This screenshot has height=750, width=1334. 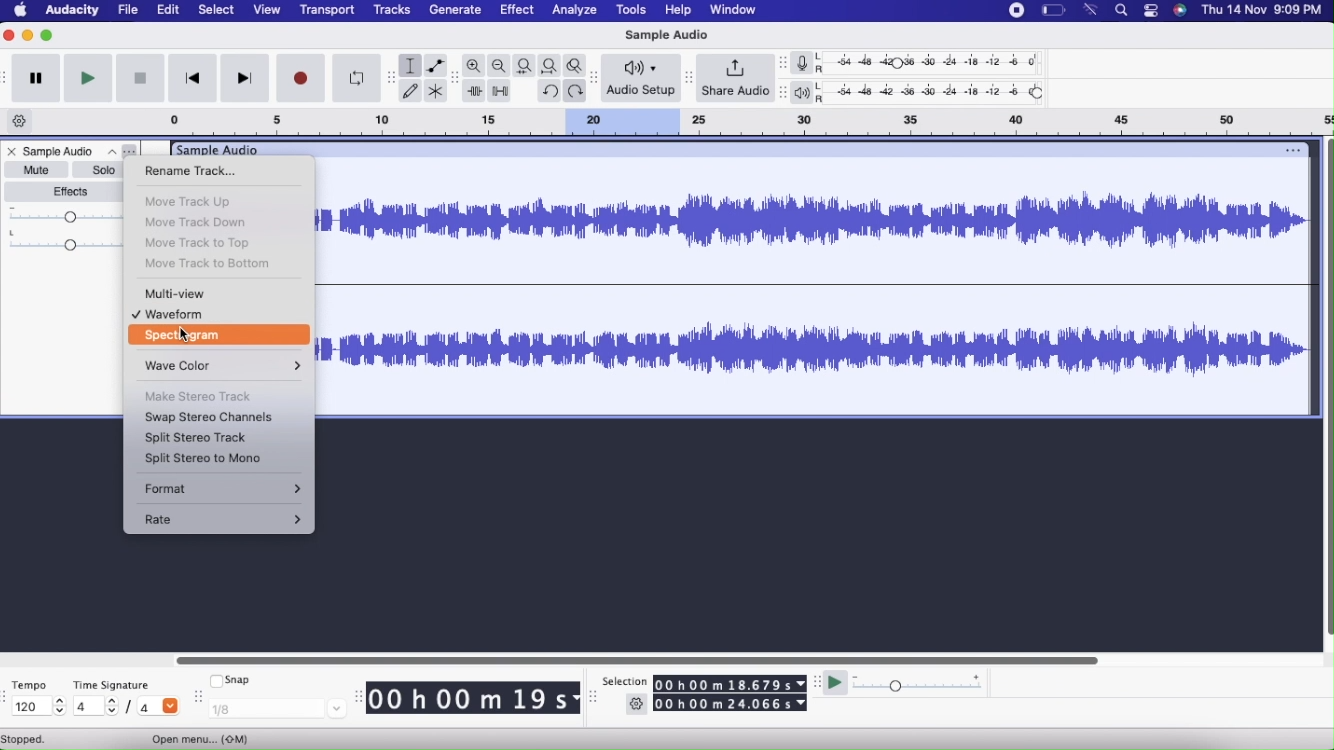 What do you see at coordinates (61, 150) in the screenshot?
I see `Sample Audio` at bounding box center [61, 150].